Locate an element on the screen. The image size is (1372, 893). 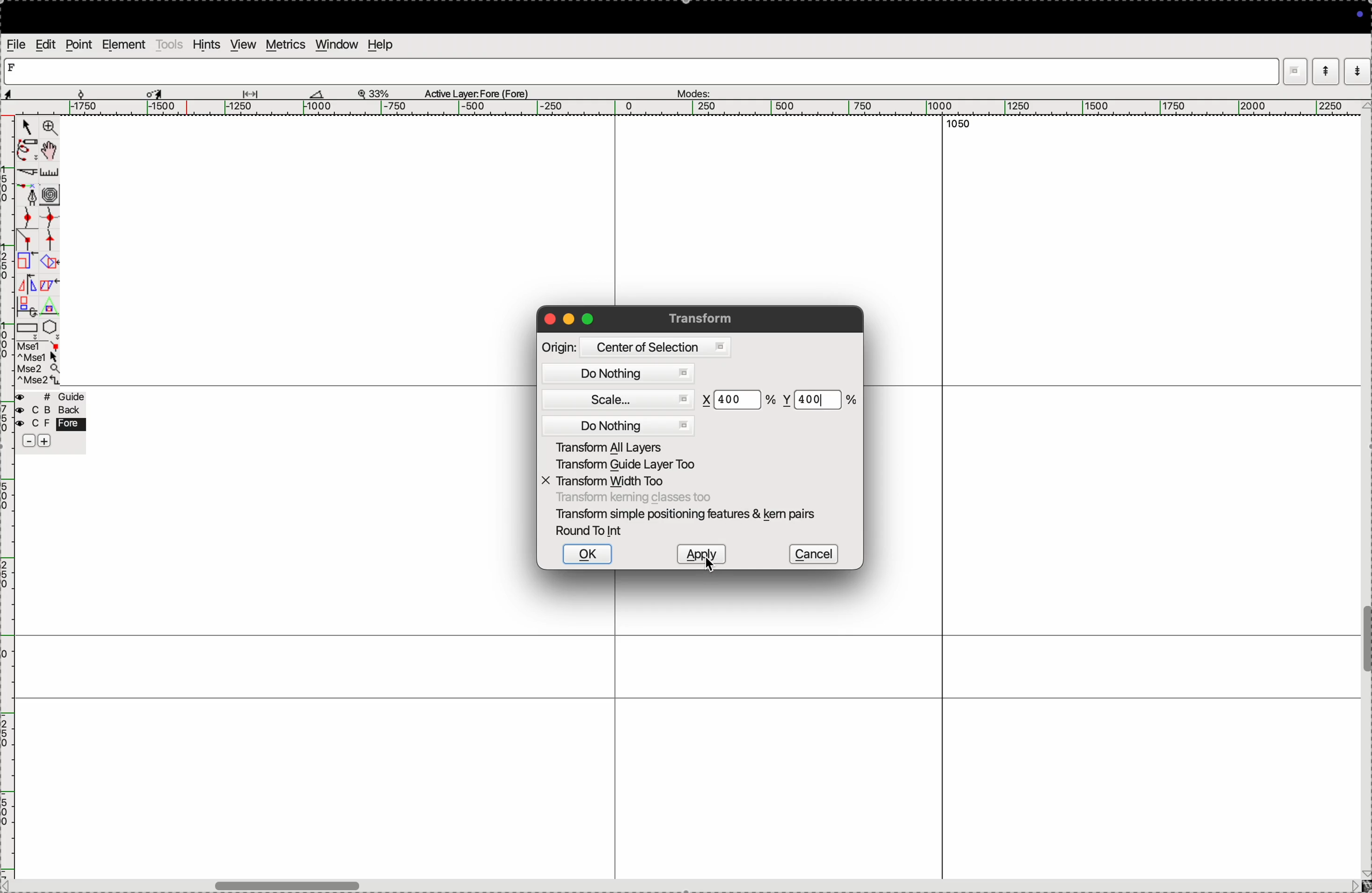
window mode is located at coordinates (1295, 73).